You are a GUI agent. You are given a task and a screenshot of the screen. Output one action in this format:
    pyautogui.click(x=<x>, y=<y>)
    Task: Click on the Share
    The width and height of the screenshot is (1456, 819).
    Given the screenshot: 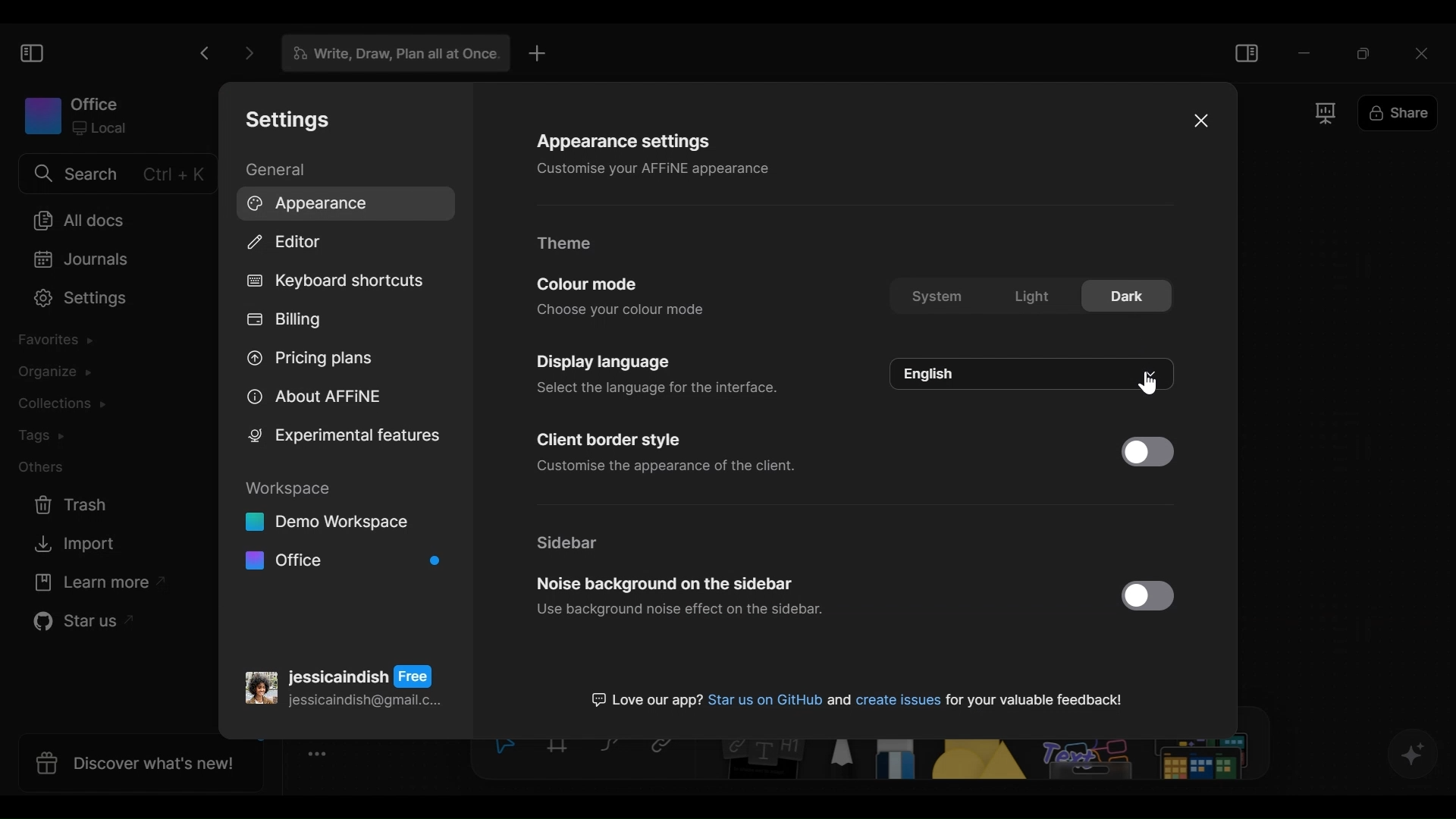 What is the action you would take?
    pyautogui.click(x=1396, y=115)
    